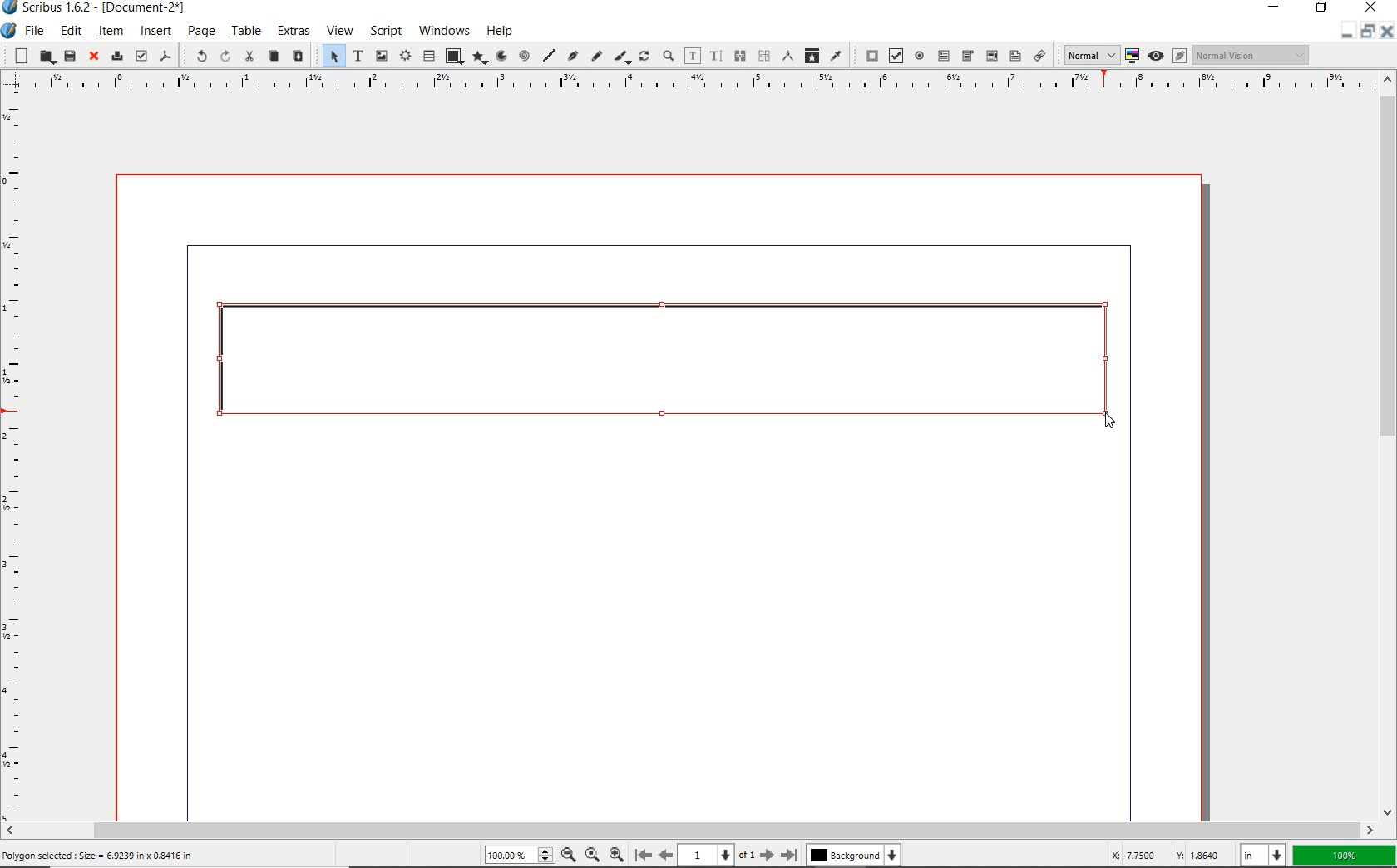  What do you see at coordinates (1166, 56) in the screenshot?
I see `preview mode` at bounding box center [1166, 56].